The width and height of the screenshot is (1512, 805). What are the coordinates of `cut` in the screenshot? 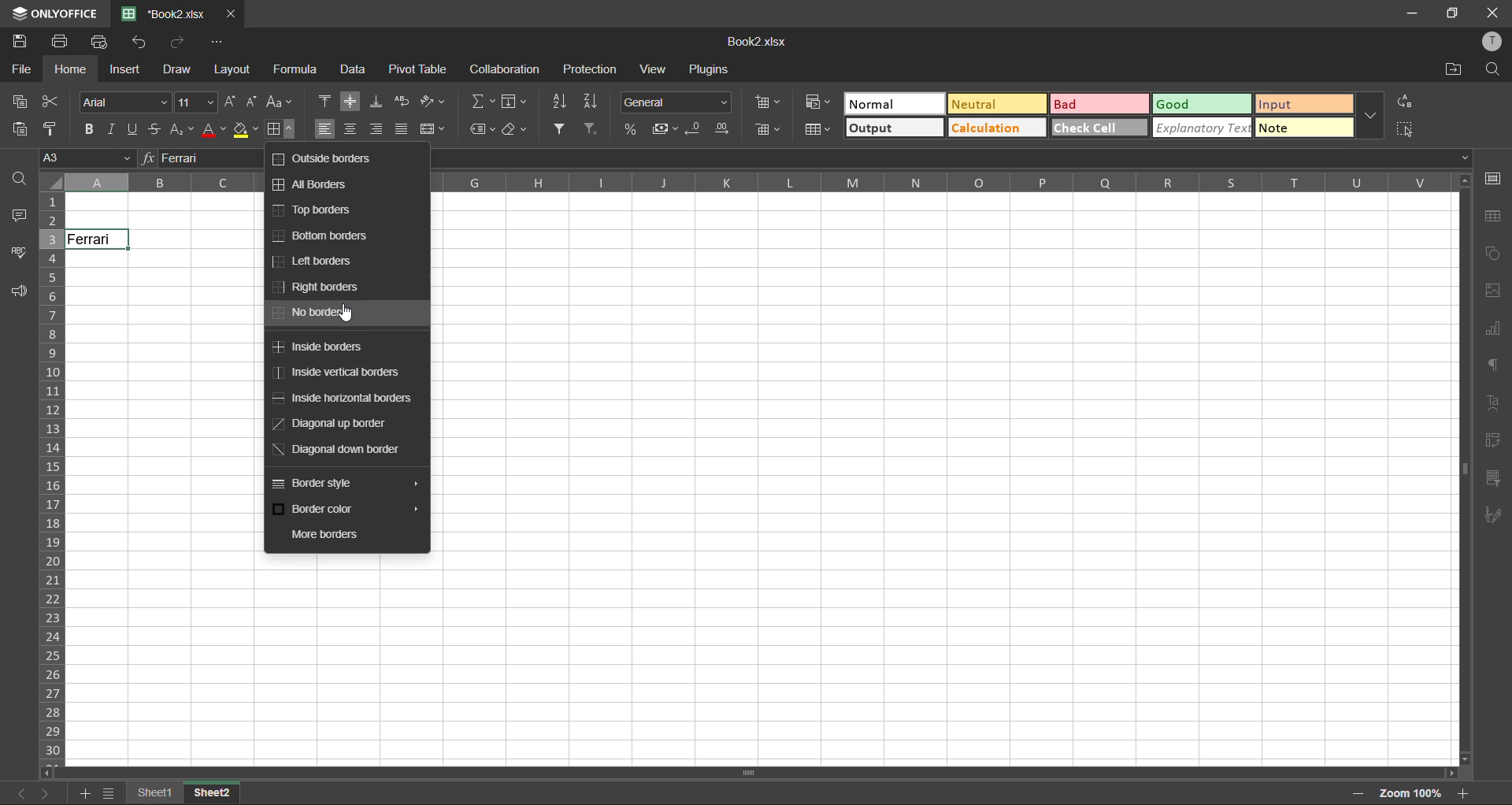 It's located at (50, 102).